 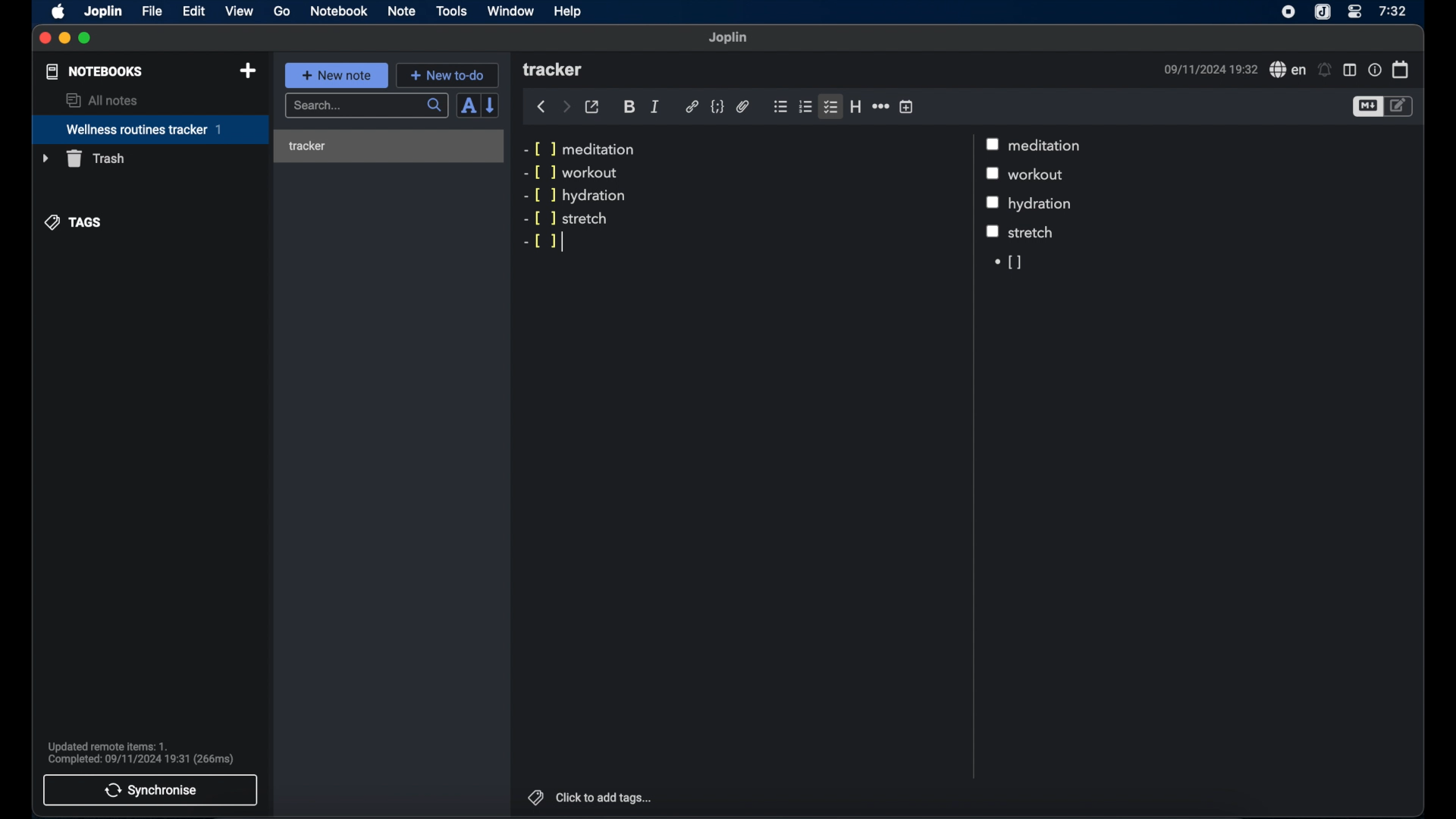 What do you see at coordinates (65, 39) in the screenshot?
I see `minimize` at bounding box center [65, 39].